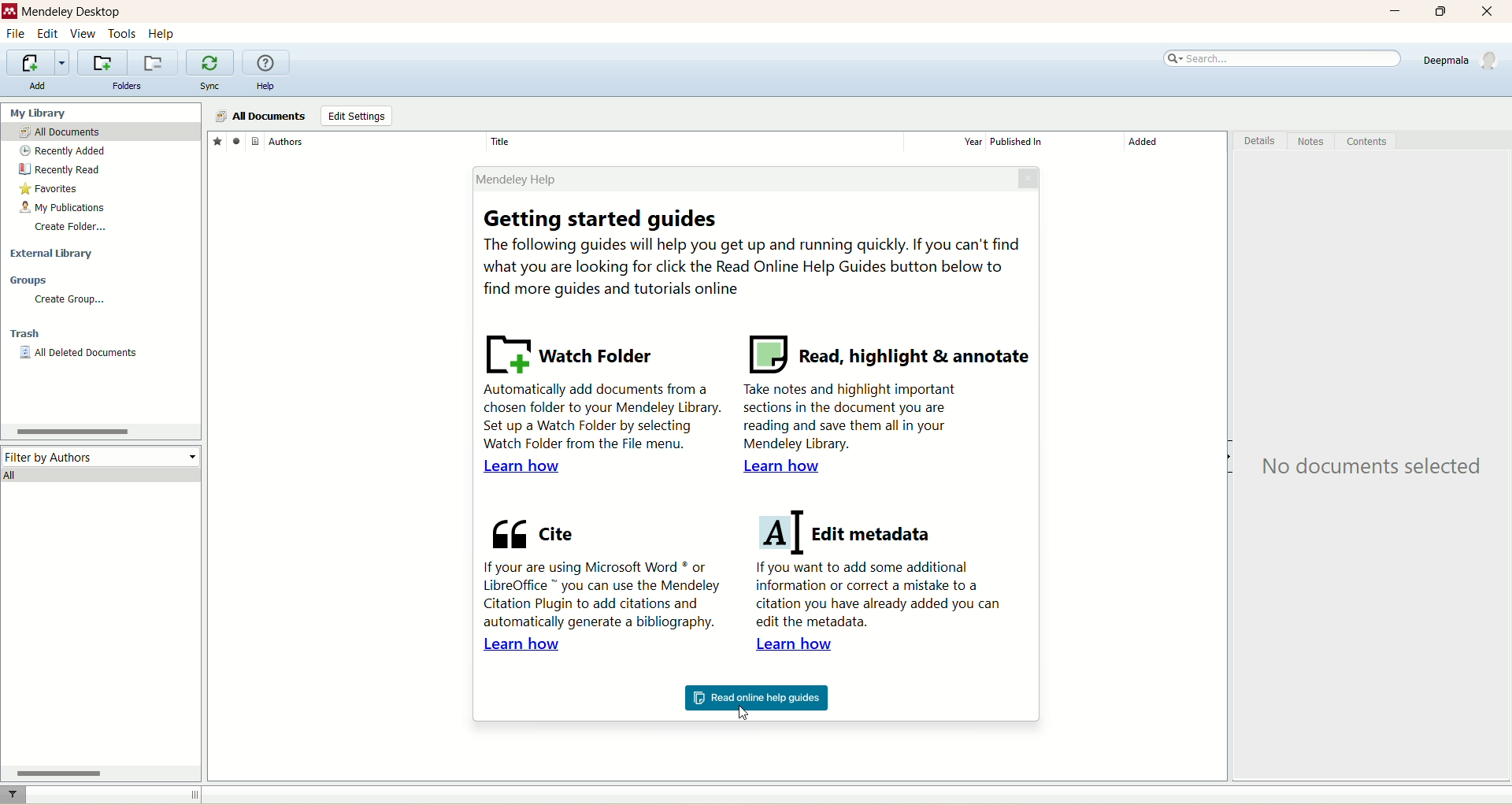 The height and width of the screenshot is (805, 1512). I want to click on close, so click(1487, 13).